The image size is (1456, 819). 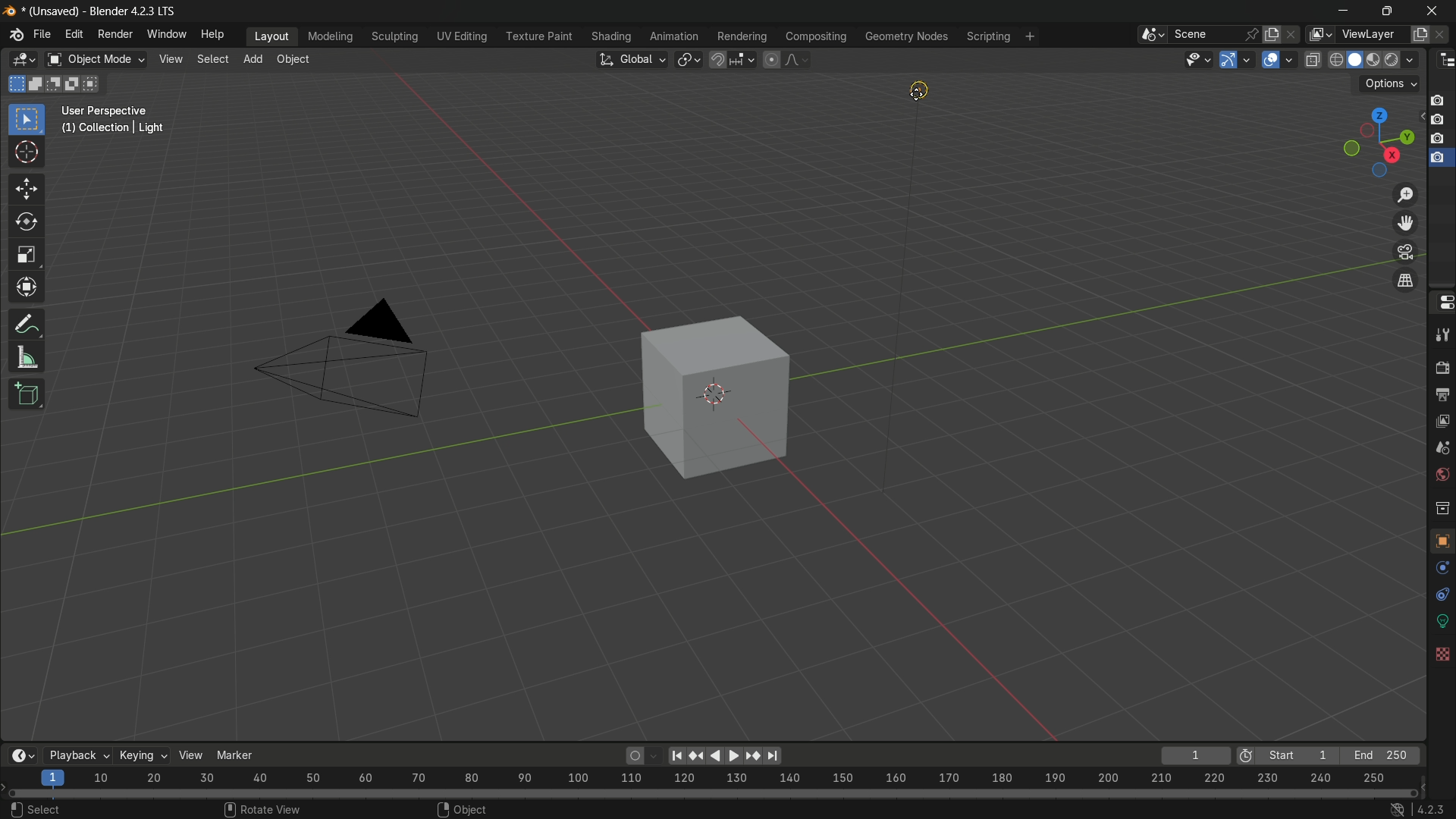 What do you see at coordinates (76, 755) in the screenshot?
I see `playback` at bounding box center [76, 755].